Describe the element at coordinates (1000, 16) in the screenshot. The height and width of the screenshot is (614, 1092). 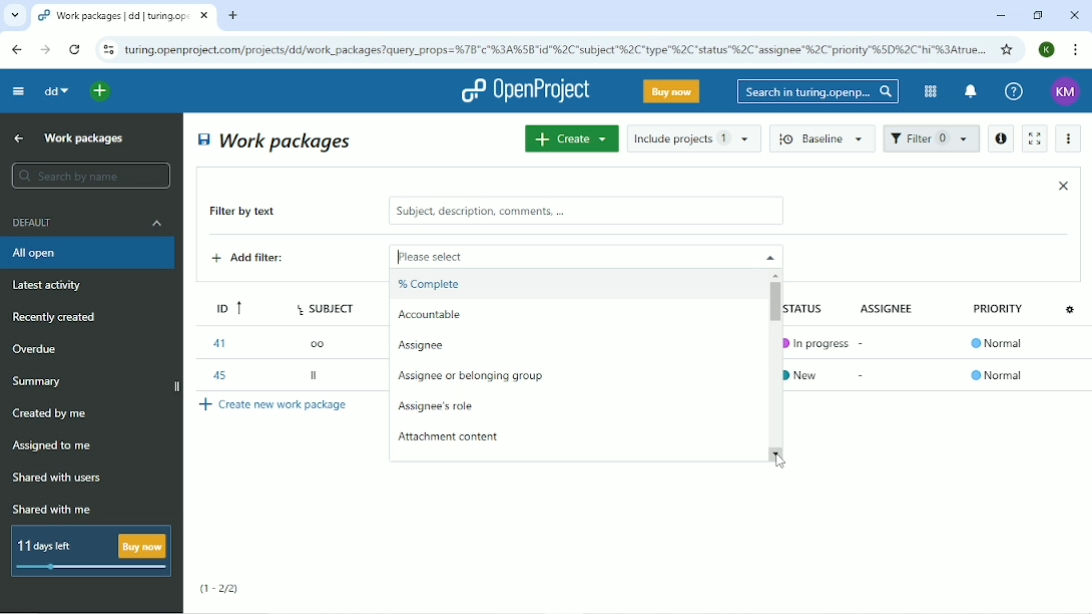
I see `Minimize` at that location.